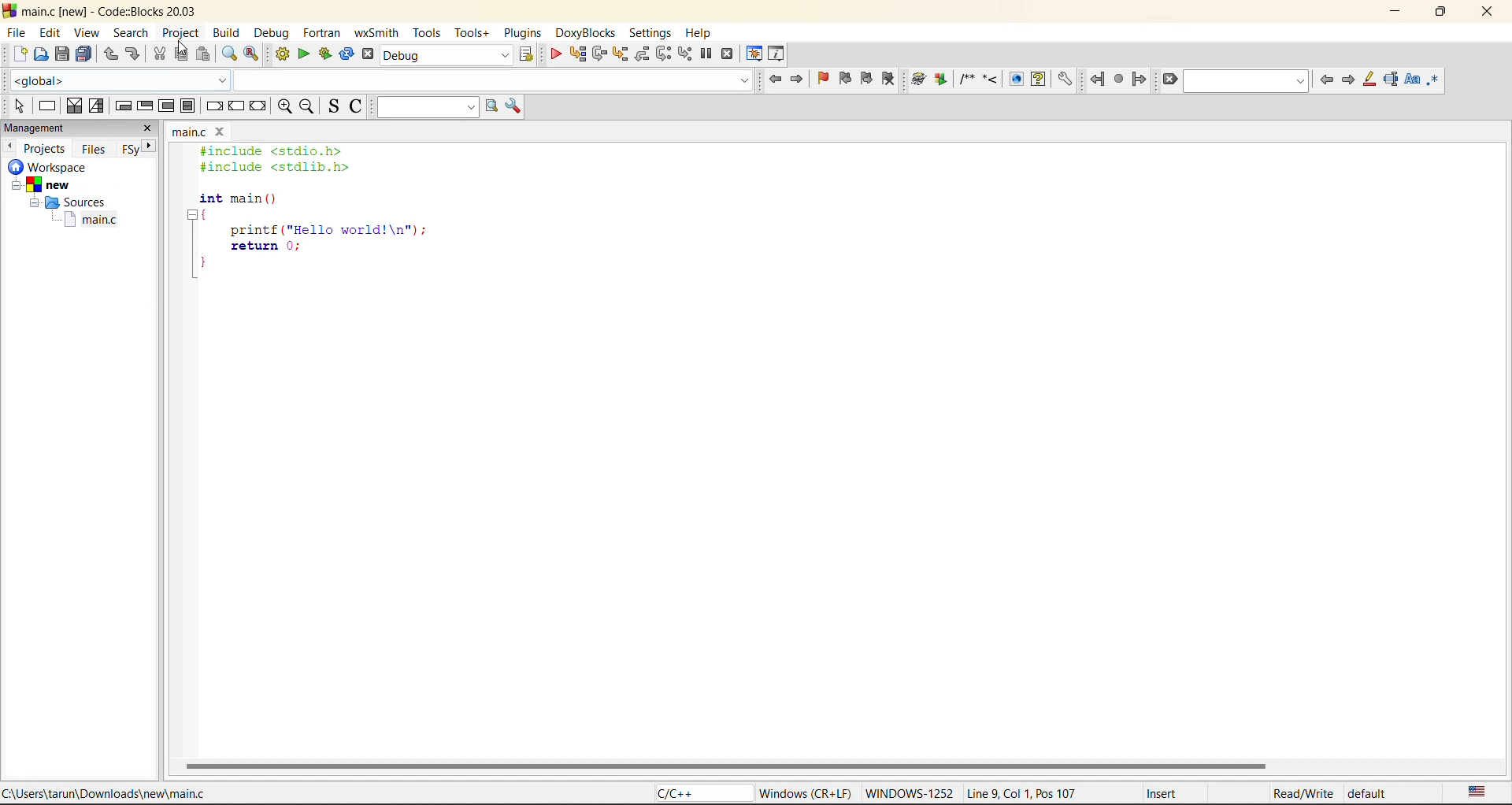  I want to click on various info, so click(778, 52).